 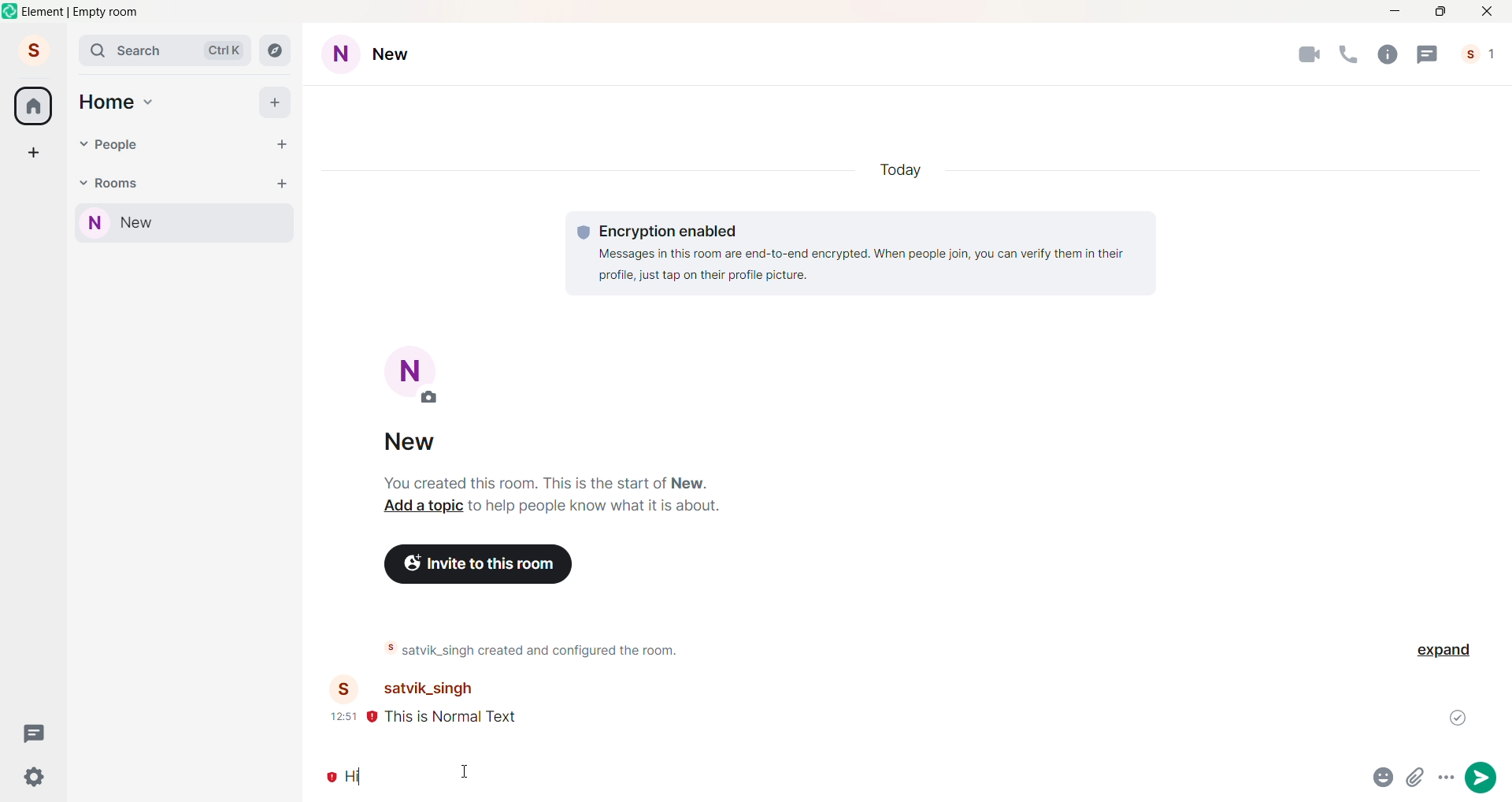 What do you see at coordinates (119, 182) in the screenshot?
I see `Rooms` at bounding box center [119, 182].